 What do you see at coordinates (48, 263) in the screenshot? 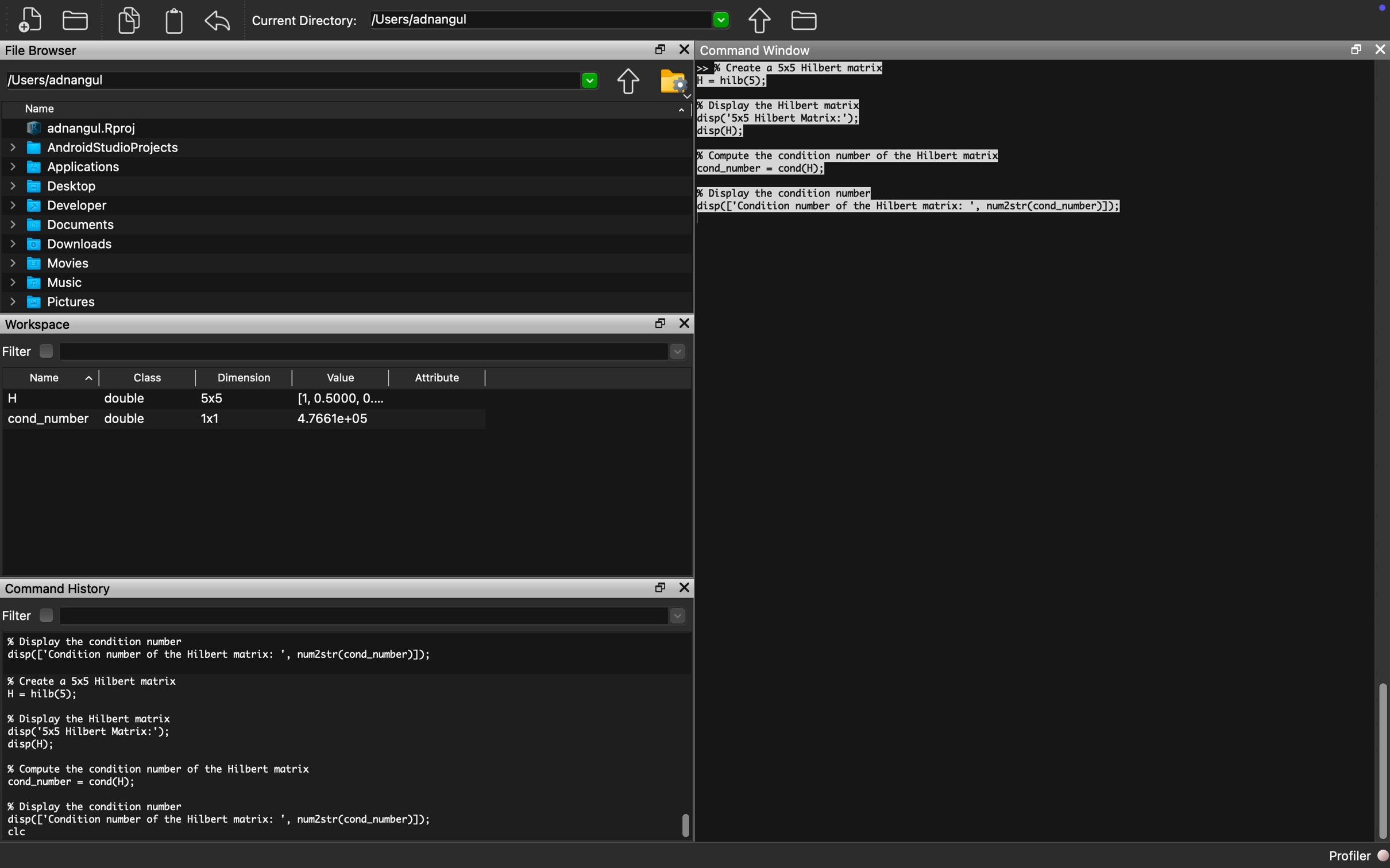
I see `Movies` at bounding box center [48, 263].